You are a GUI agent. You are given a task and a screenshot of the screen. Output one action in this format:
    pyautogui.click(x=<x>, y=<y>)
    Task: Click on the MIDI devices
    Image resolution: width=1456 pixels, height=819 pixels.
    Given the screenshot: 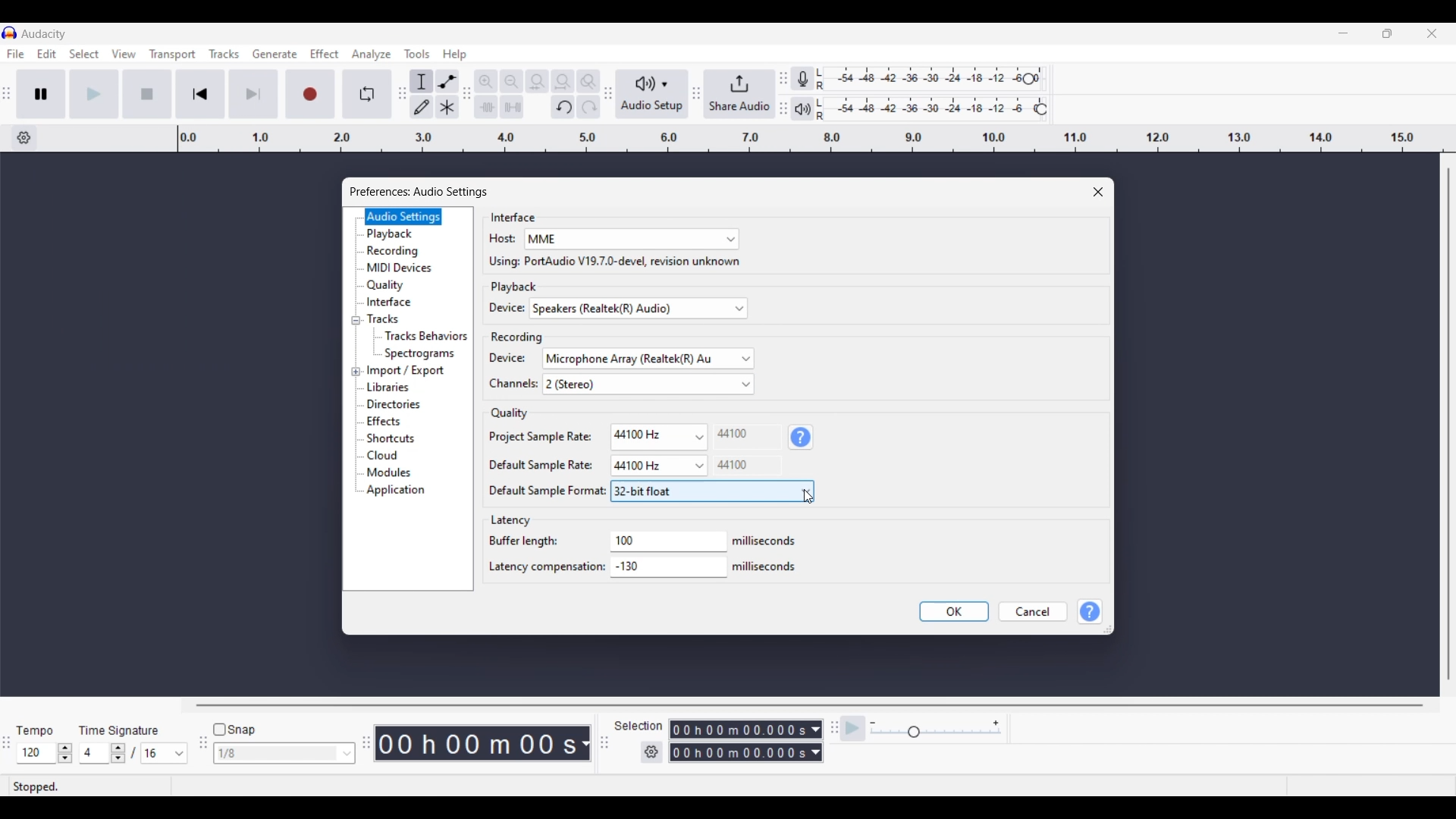 What is the action you would take?
    pyautogui.click(x=404, y=268)
    